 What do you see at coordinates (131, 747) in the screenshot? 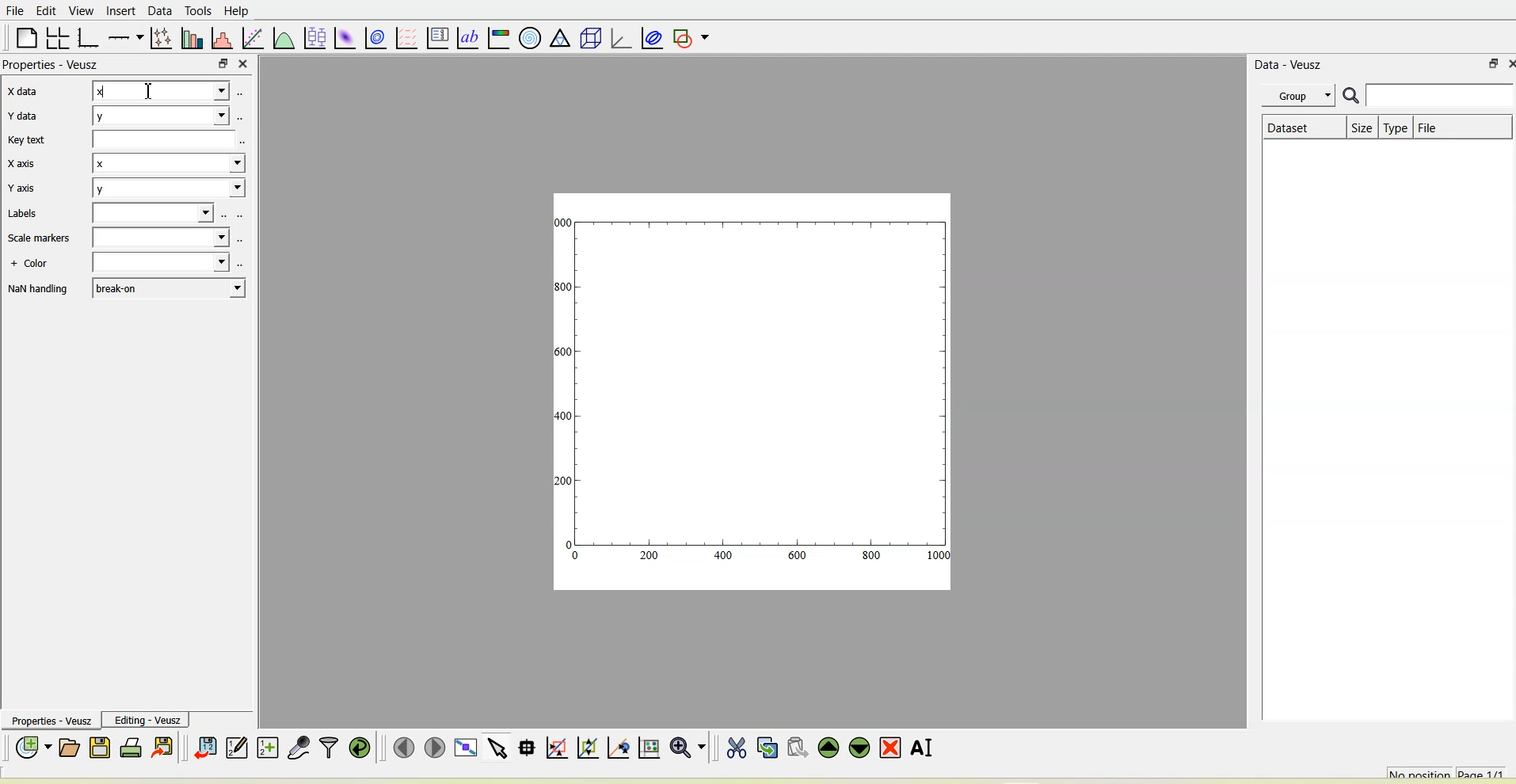
I see `Print the document` at bounding box center [131, 747].